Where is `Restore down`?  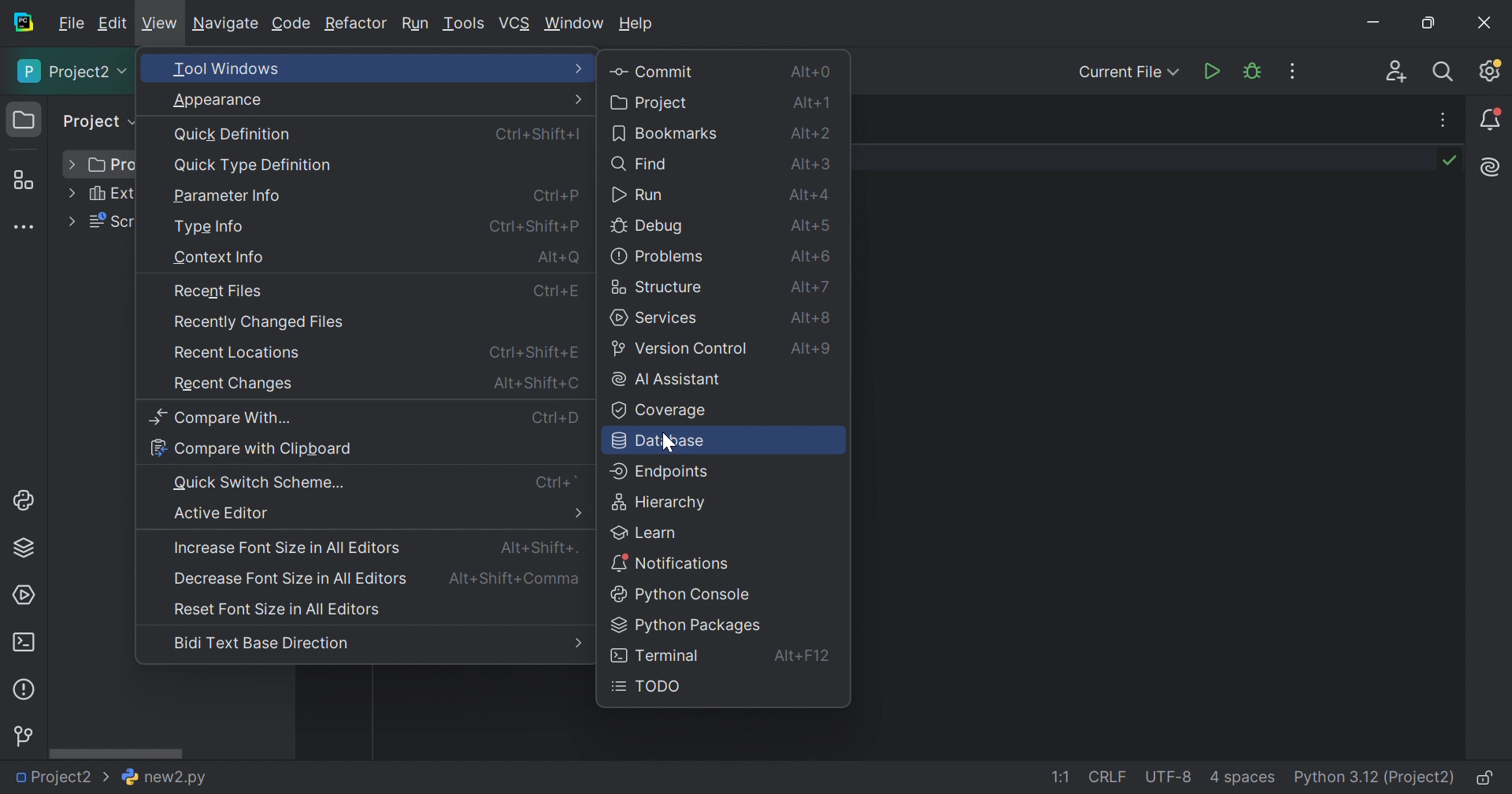
Restore down is located at coordinates (1431, 24).